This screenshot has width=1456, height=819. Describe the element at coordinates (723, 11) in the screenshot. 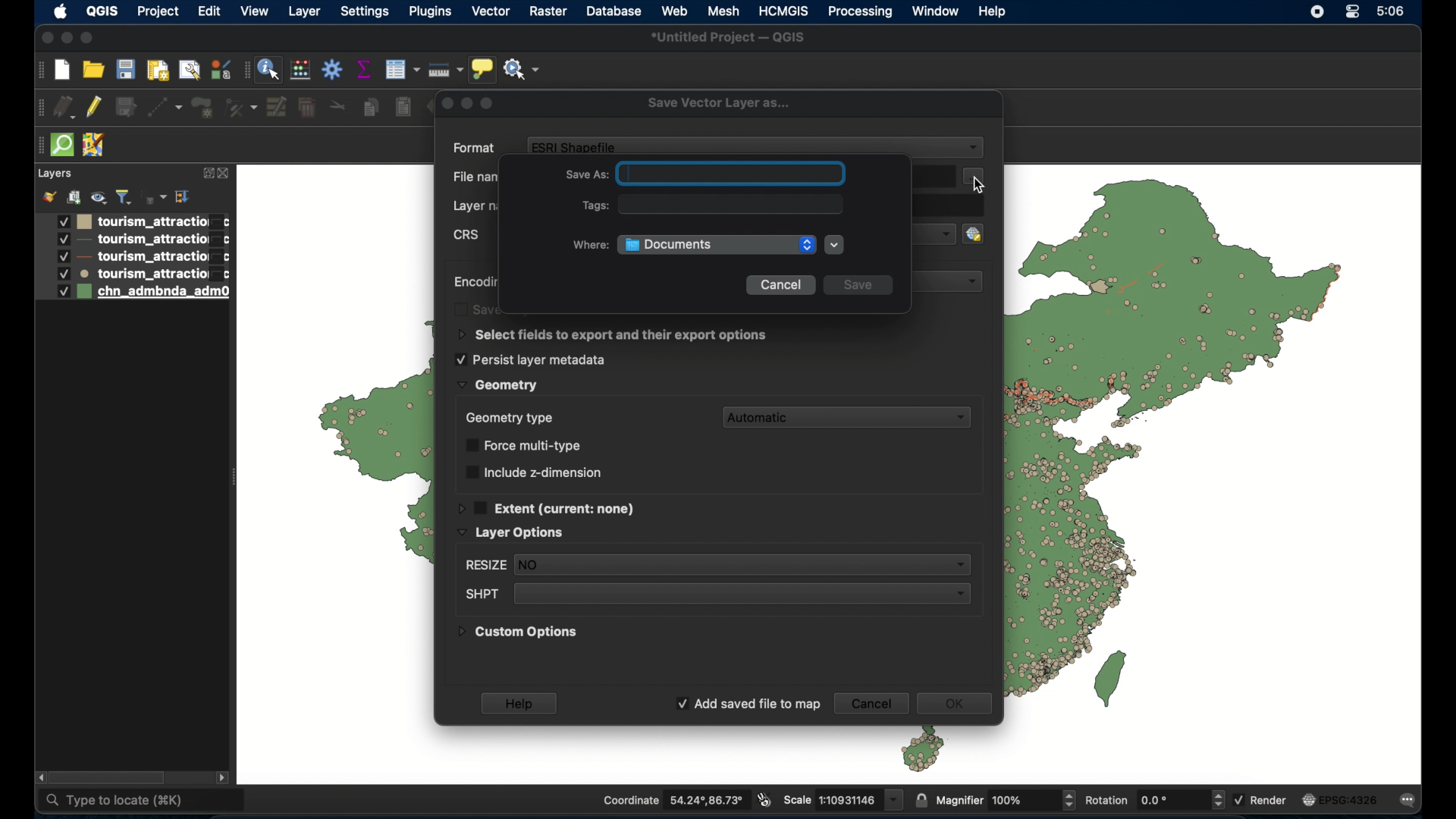

I see `mesh` at that location.